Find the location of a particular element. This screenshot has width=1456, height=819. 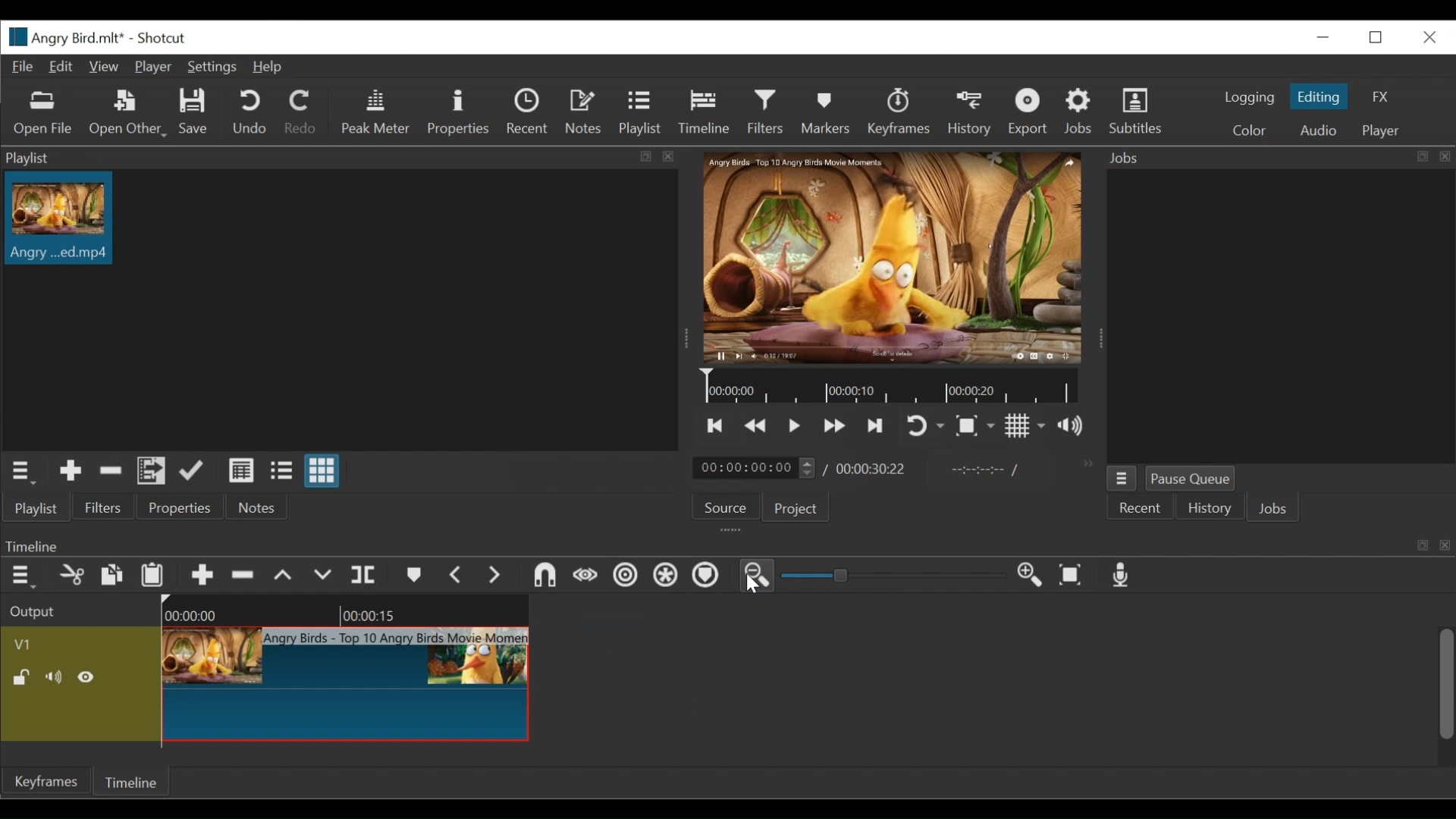

View as icons is located at coordinates (322, 470).